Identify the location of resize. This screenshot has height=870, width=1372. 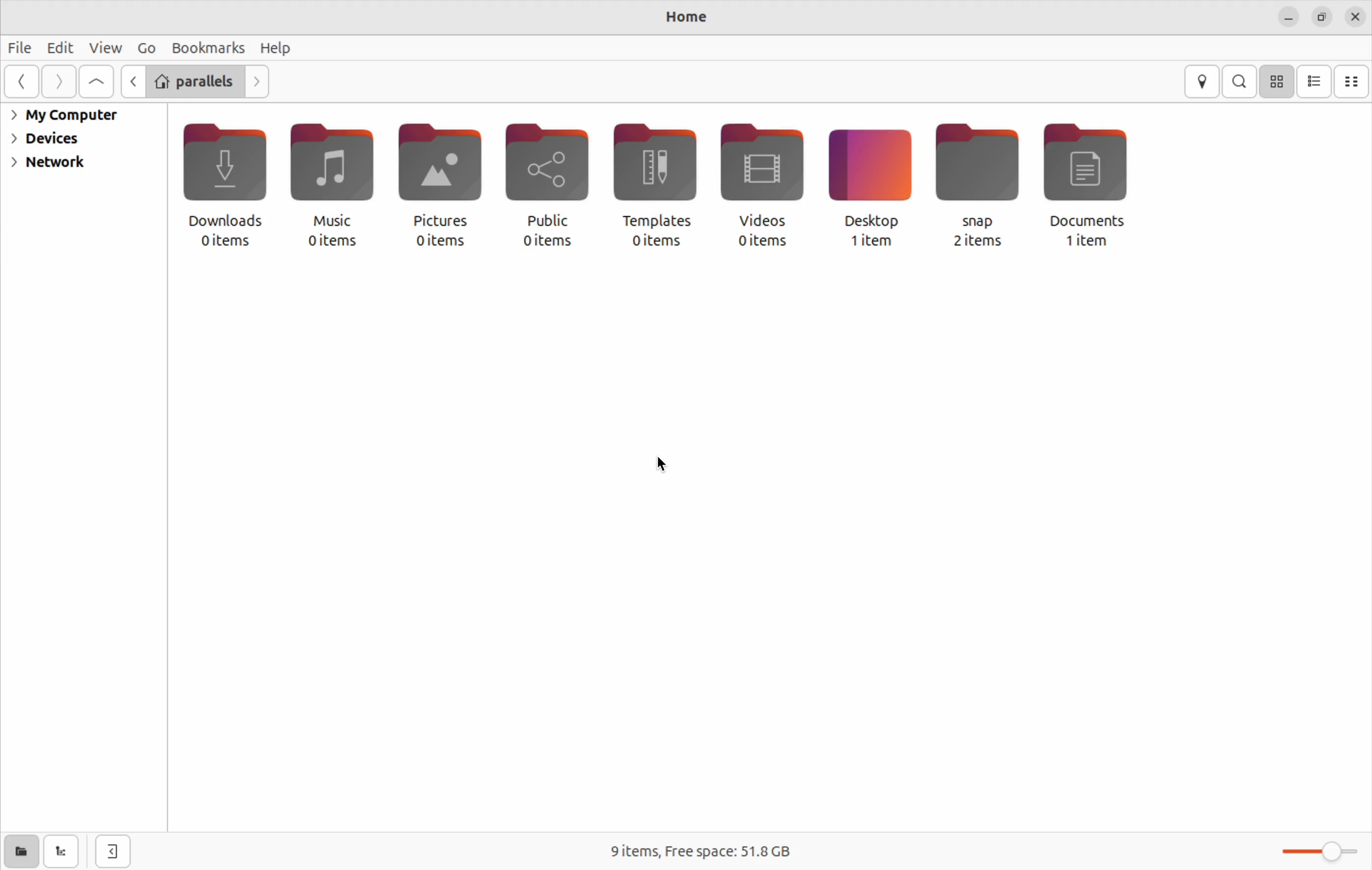
(1322, 17).